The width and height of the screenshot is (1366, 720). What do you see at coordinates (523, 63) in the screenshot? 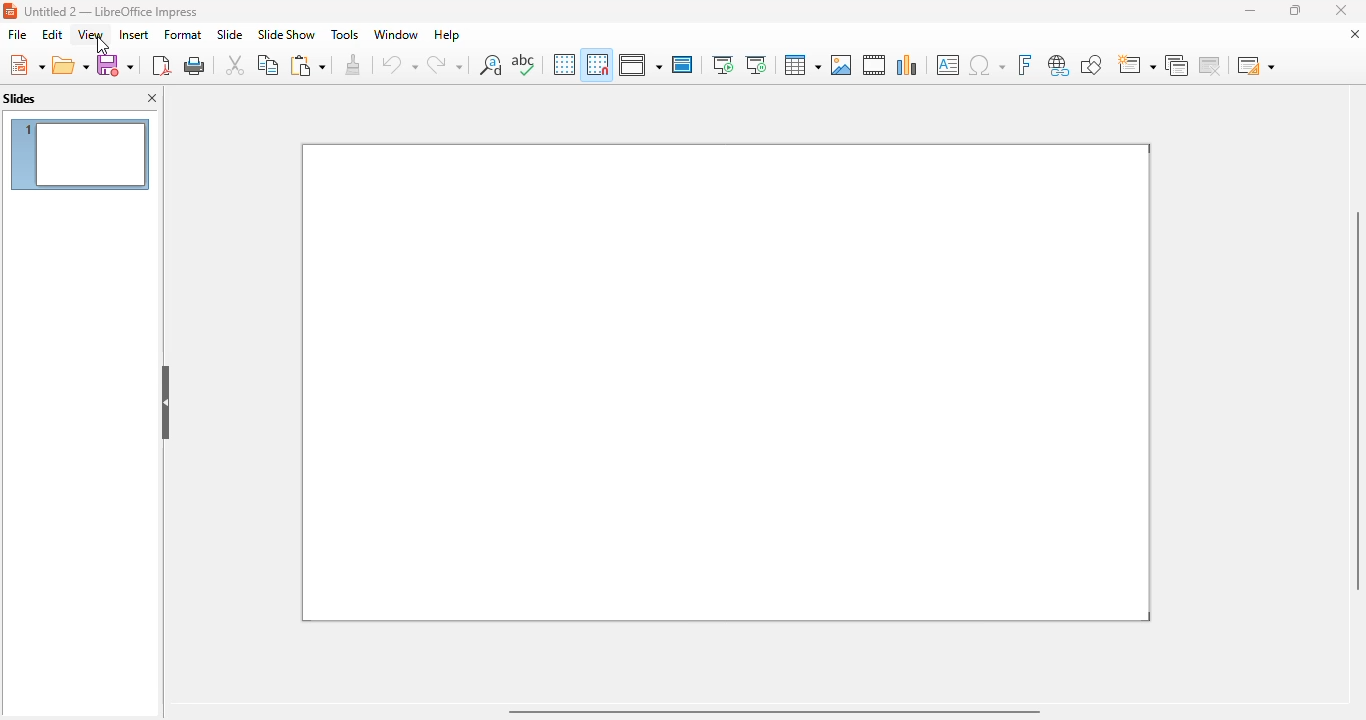
I see `spelling` at bounding box center [523, 63].